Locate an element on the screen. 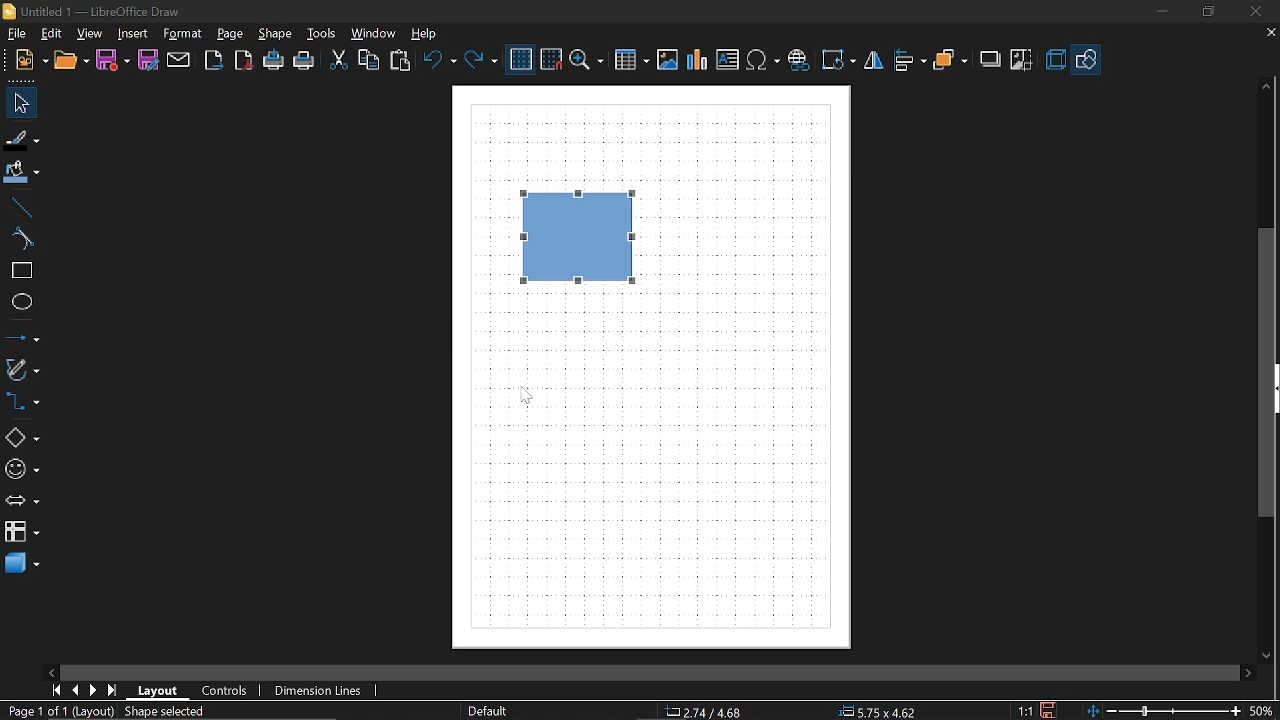 The height and width of the screenshot is (720, 1280). Page is located at coordinates (233, 34).